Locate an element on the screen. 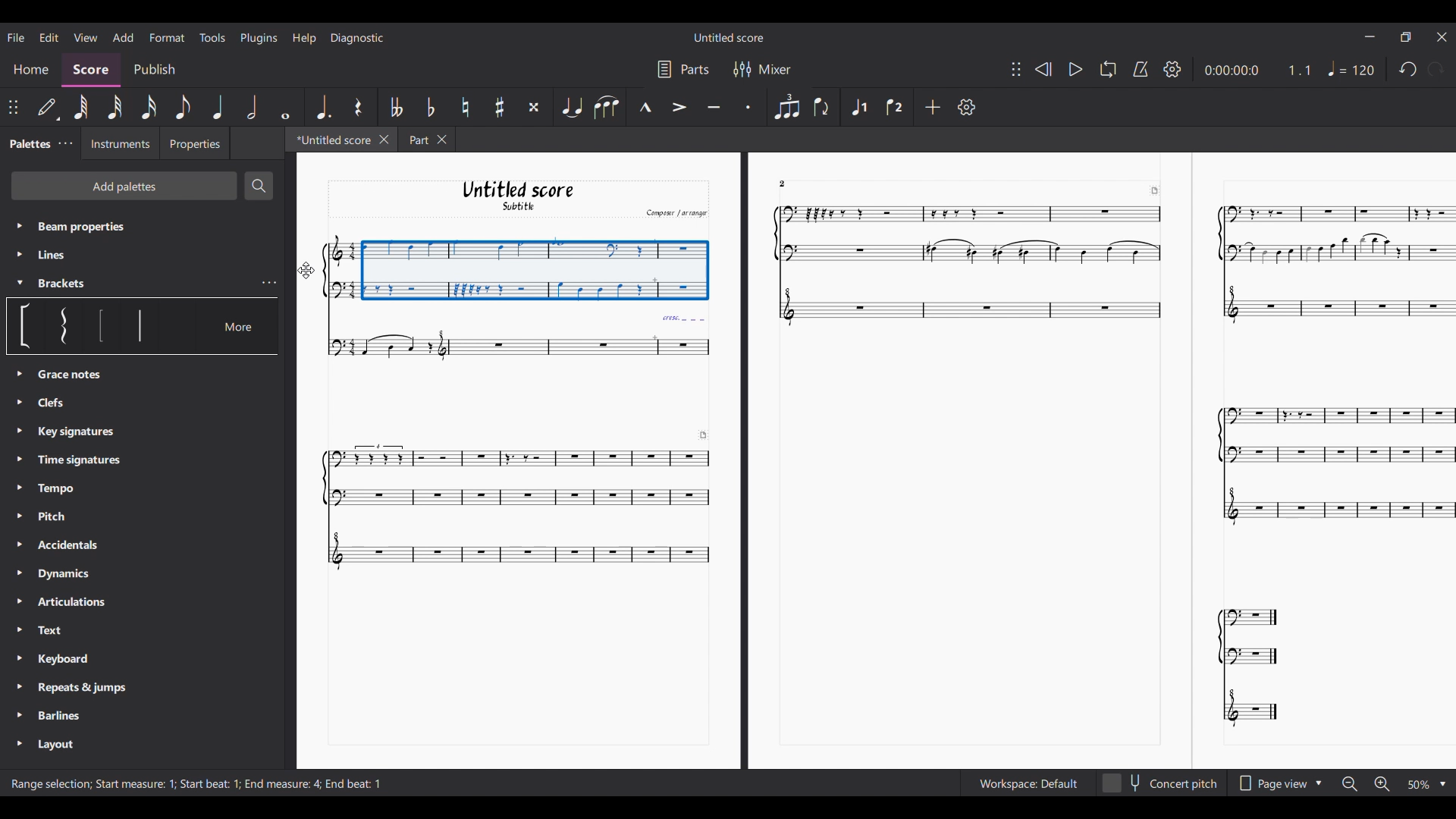 Image resolution: width=1456 pixels, height=819 pixels. Tuplet is located at coordinates (786, 106).